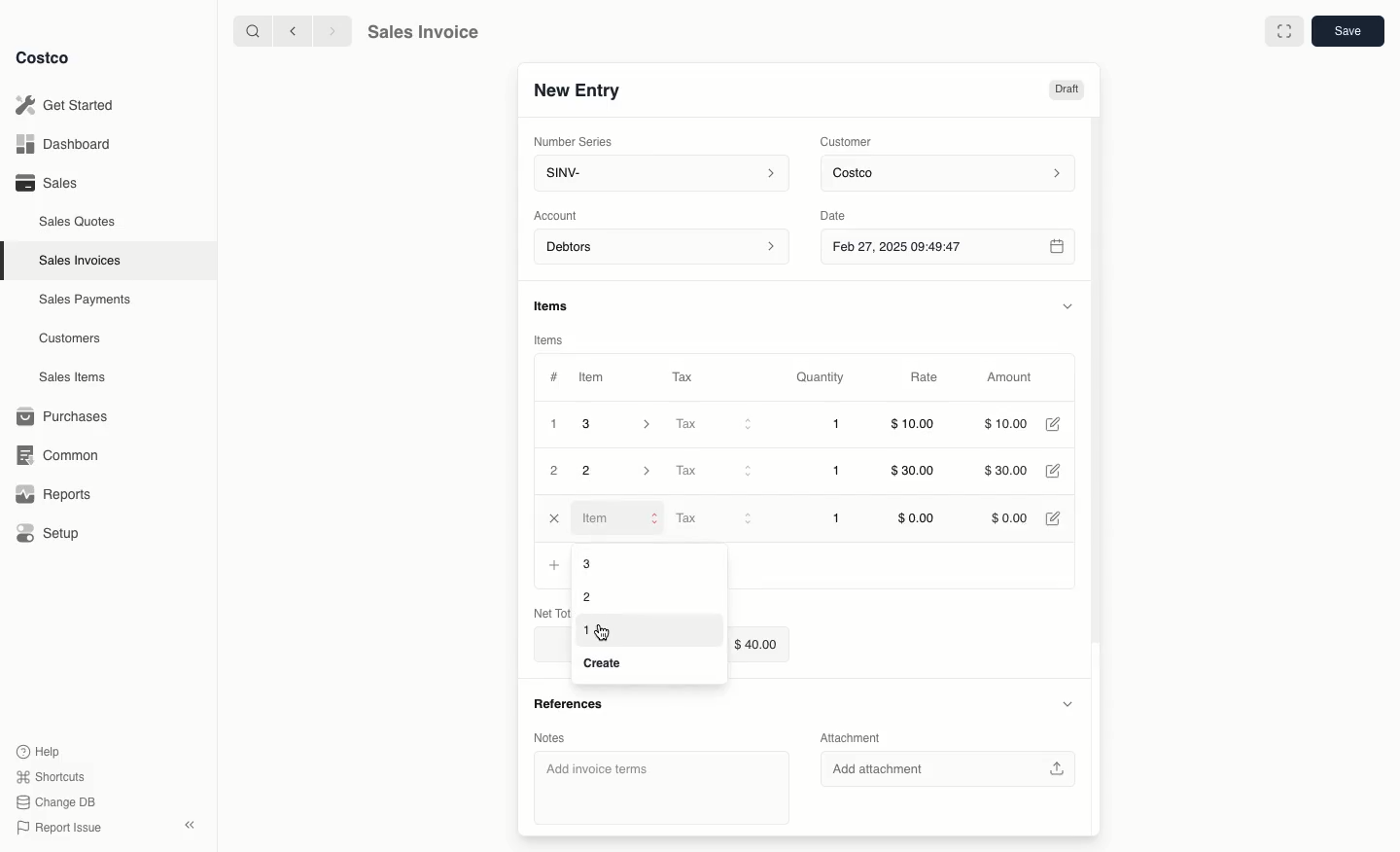 This screenshot has width=1400, height=852. What do you see at coordinates (1056, 424) in the screenshot?
I see `Edit` at bounding box center [1056, 424].